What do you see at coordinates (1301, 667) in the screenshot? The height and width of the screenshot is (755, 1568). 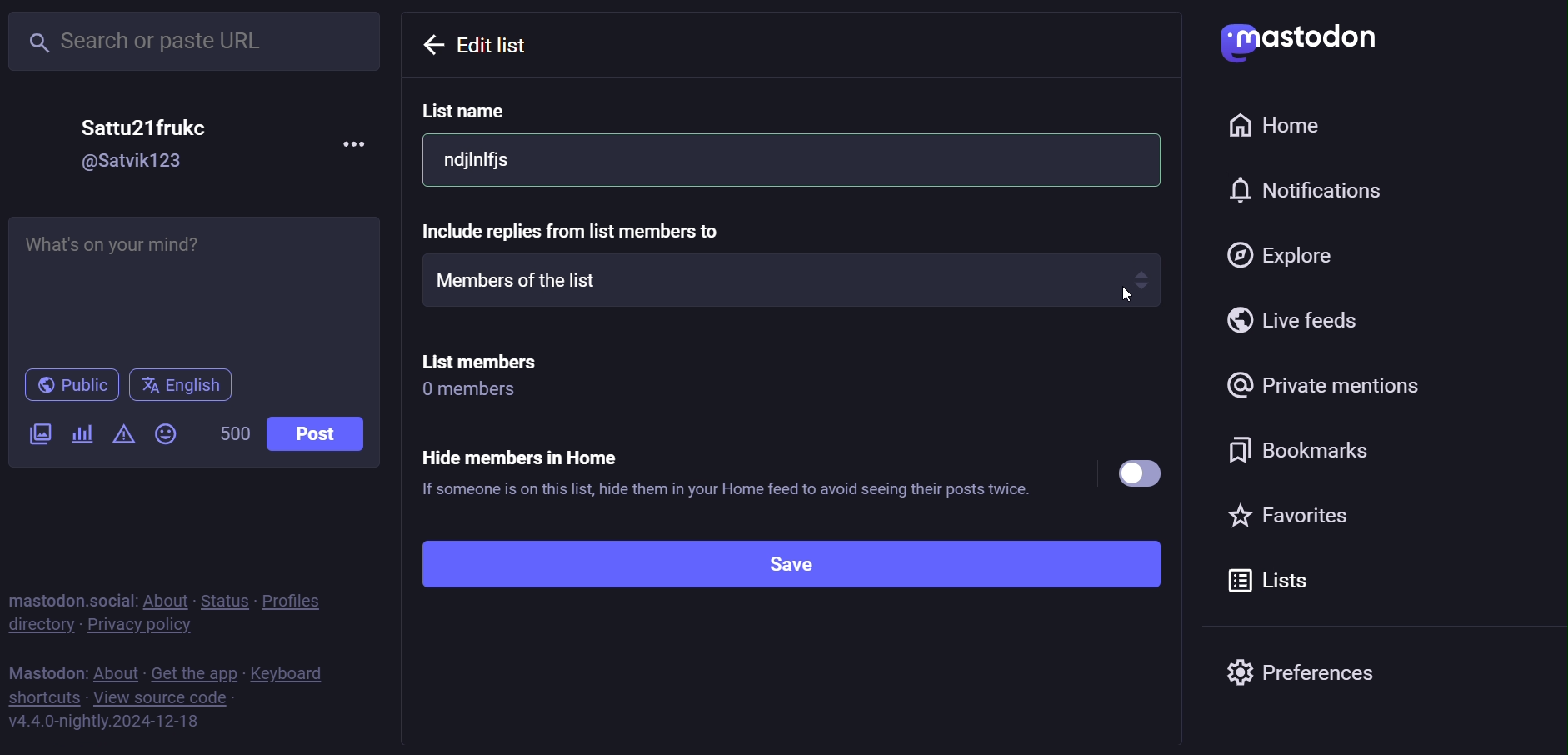 I see `preferences` at bounding box center [1301, 667].